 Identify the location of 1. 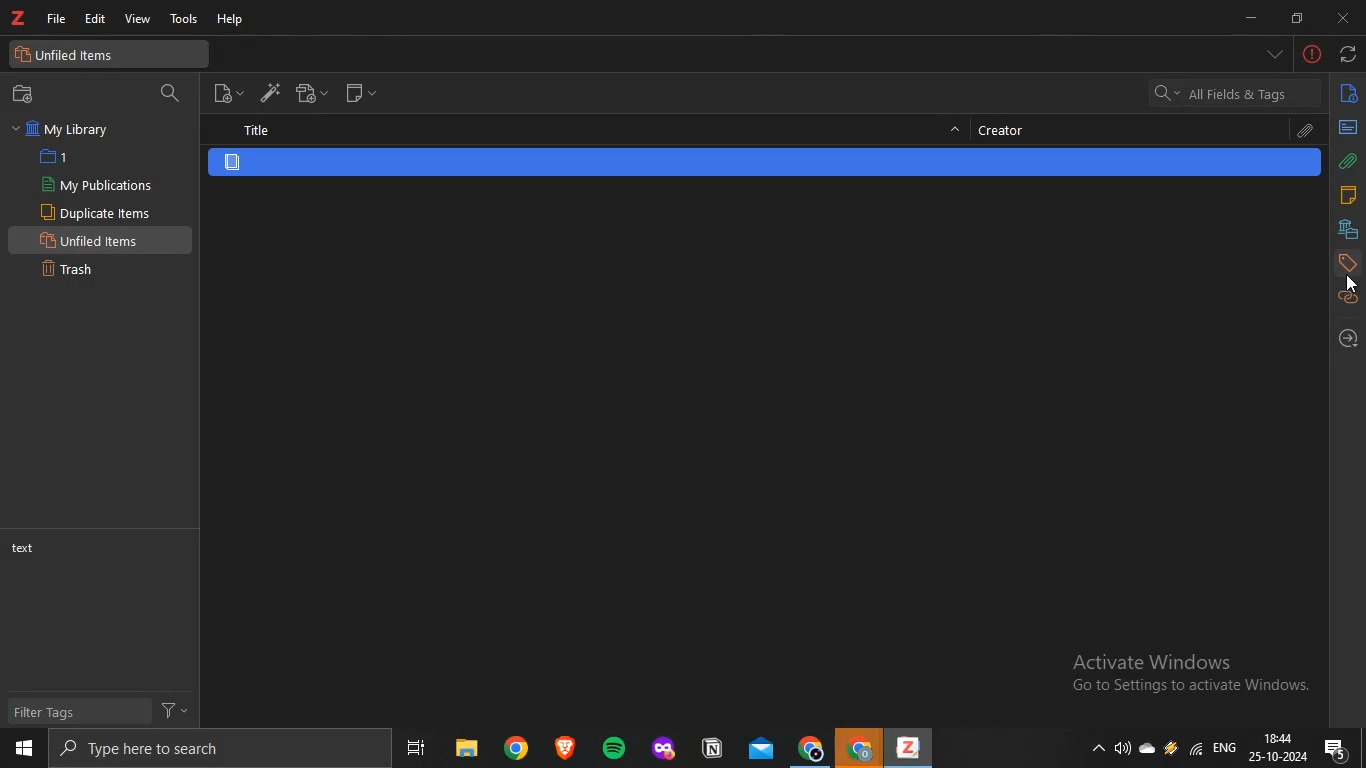
(65, 156).